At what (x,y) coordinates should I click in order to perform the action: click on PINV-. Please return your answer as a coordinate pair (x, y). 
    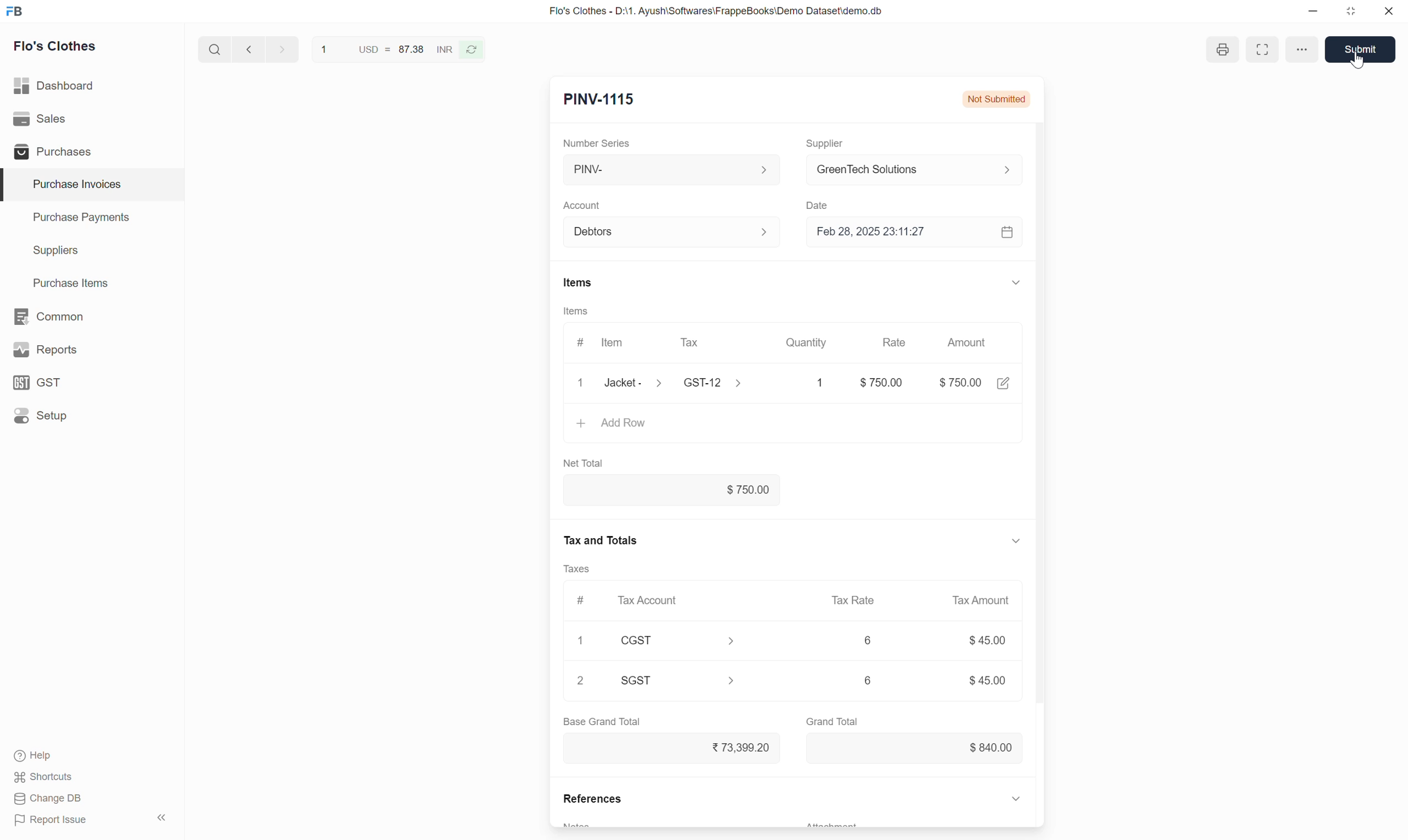
    Looking at the image, I should click on (674, 169).